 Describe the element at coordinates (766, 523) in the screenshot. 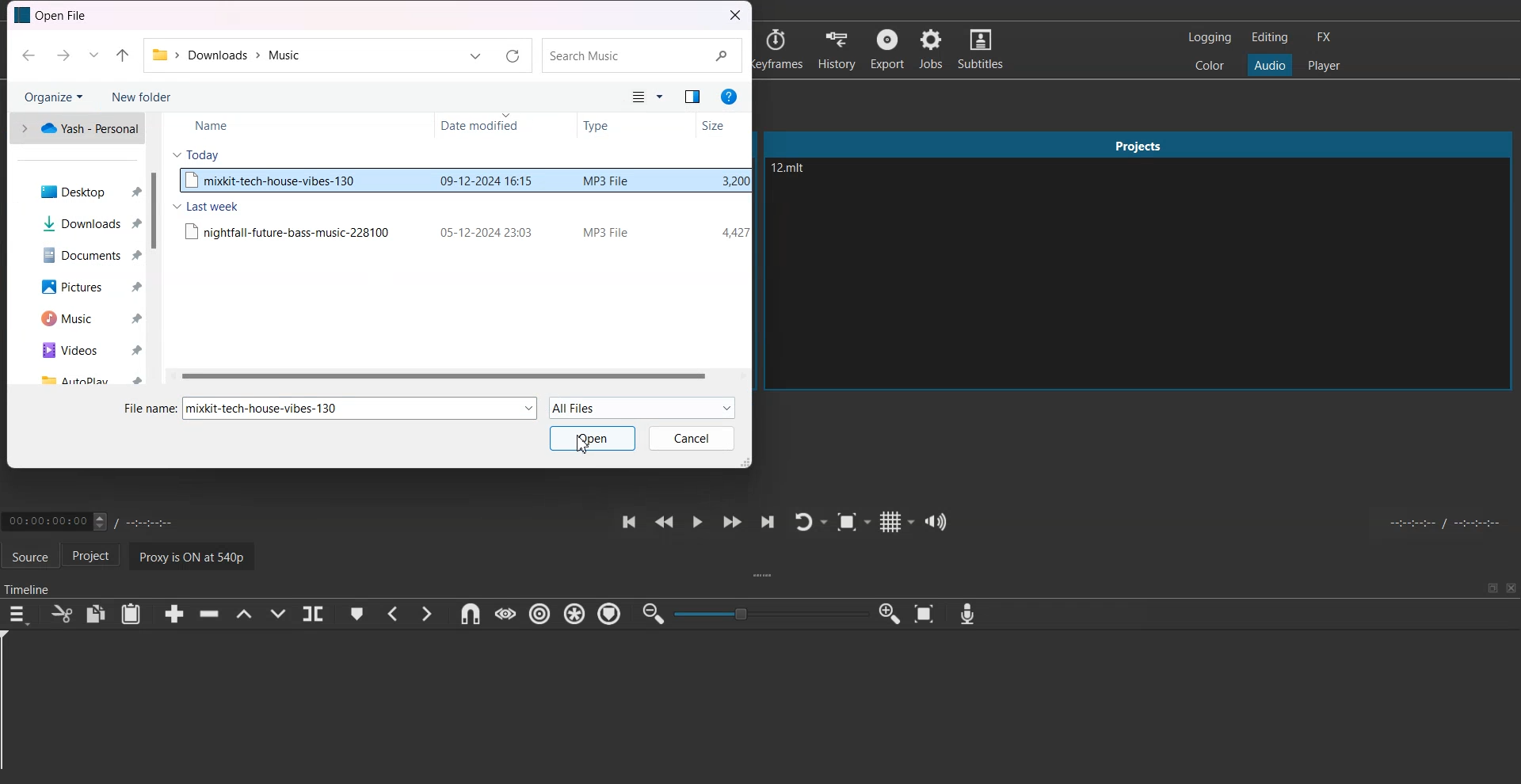

I see `Skip to the next point` at that location.